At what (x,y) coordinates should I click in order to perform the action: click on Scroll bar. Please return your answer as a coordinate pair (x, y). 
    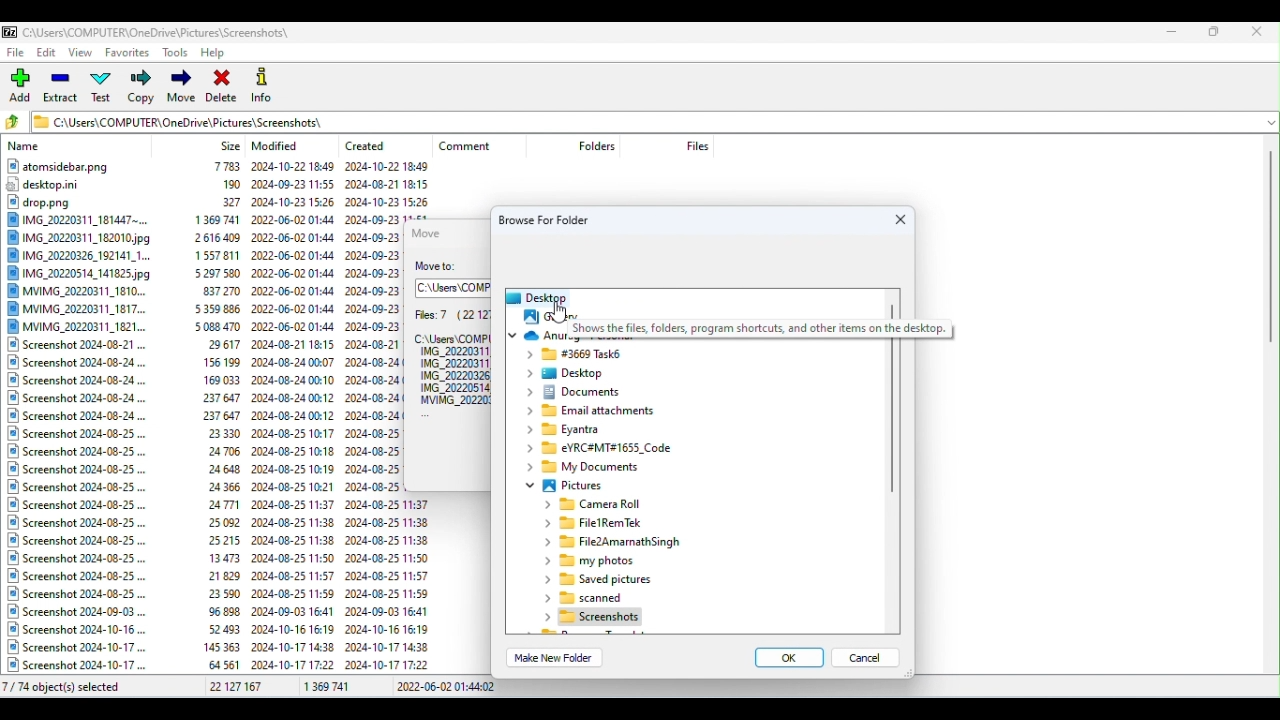
    Looking at the image, I should click on (1272, 407).